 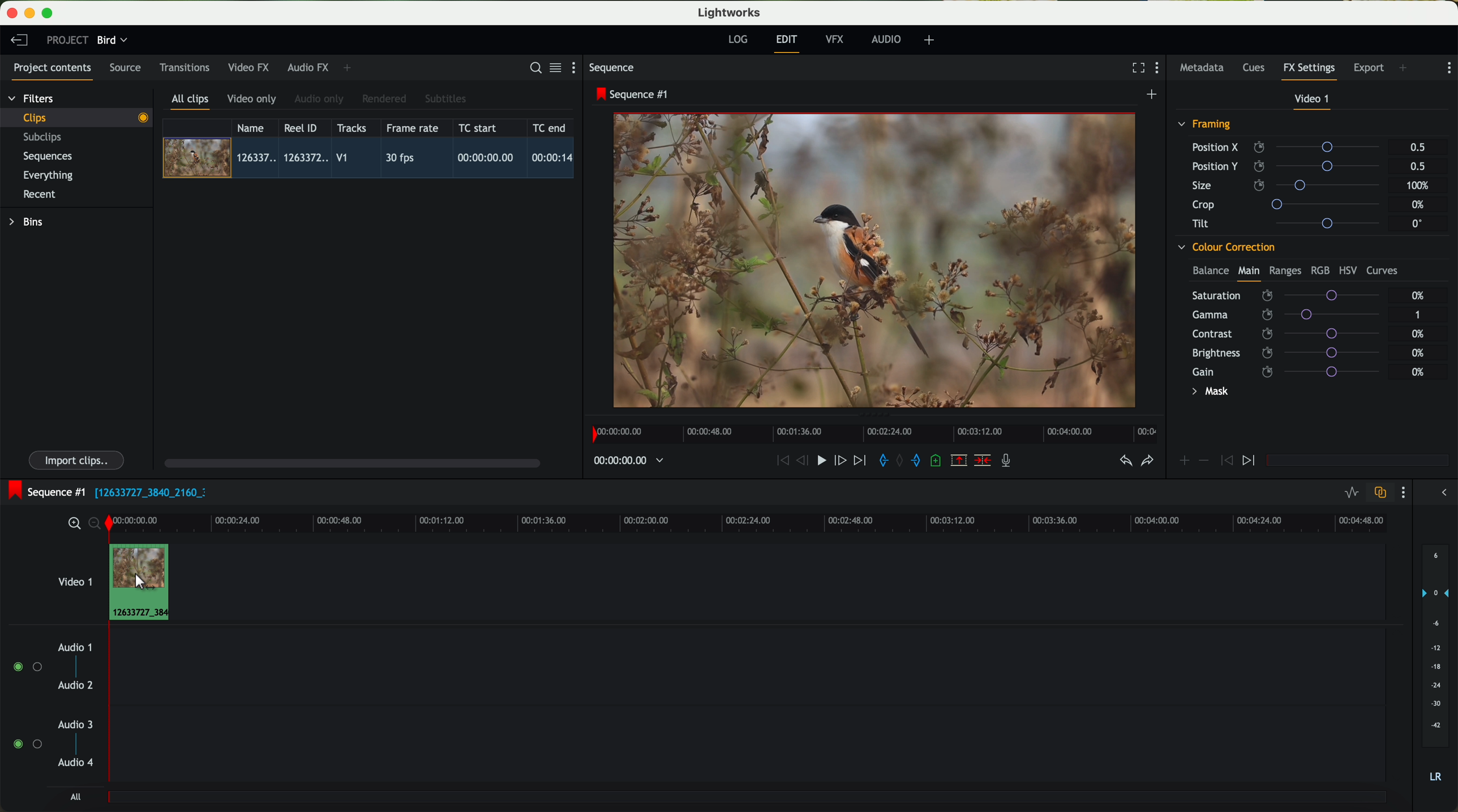 I want to click on nudge one frame foward, so click(x=842, y=461).